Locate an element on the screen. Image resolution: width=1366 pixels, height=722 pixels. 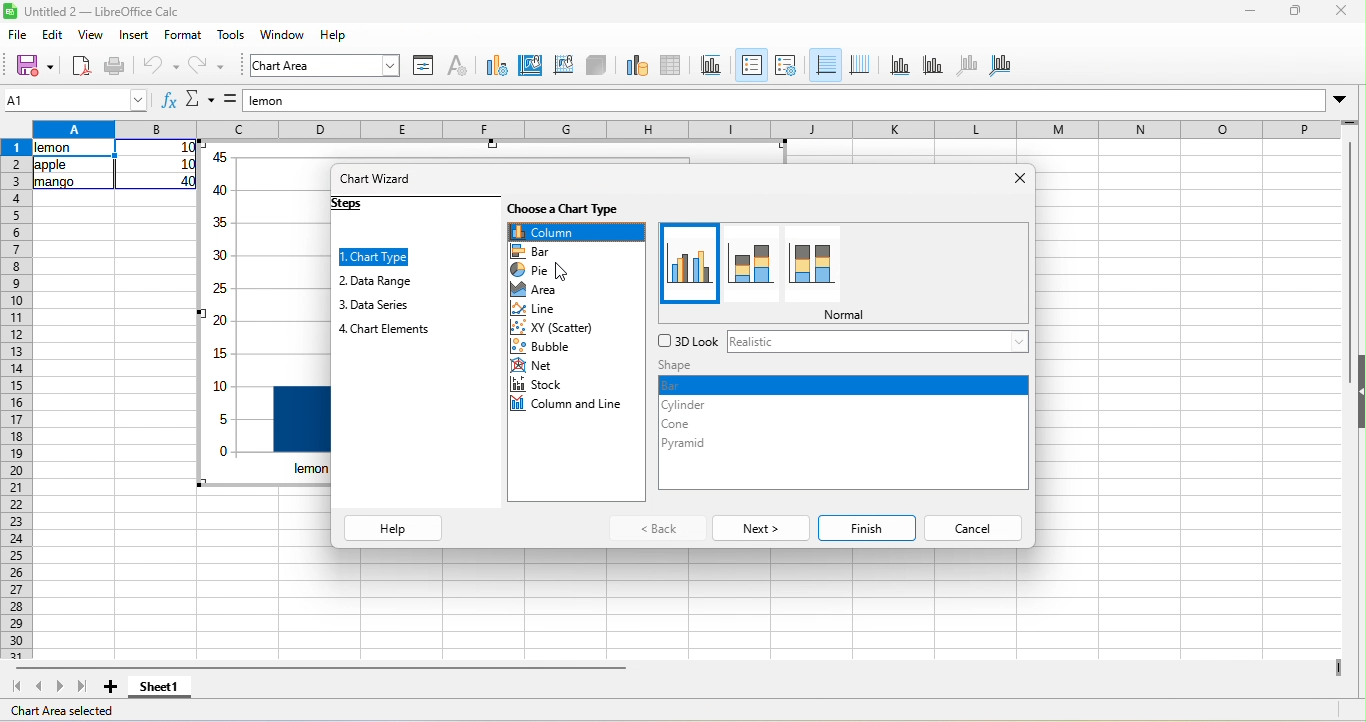
select function is located at coordinates (202, 101).